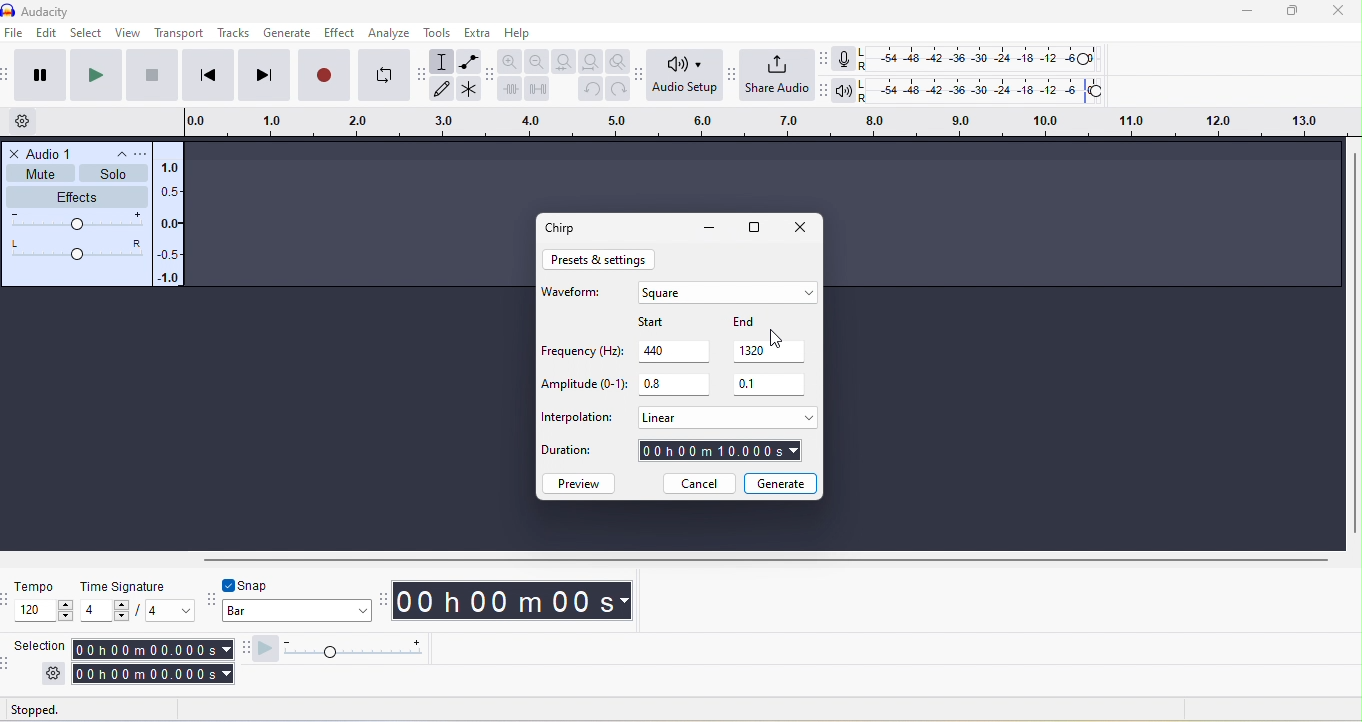 The image size is (1362, 722). What do you see at coordinates (41, 173) in the screenshot?
I see `mute` at bounding box center [41, 173].